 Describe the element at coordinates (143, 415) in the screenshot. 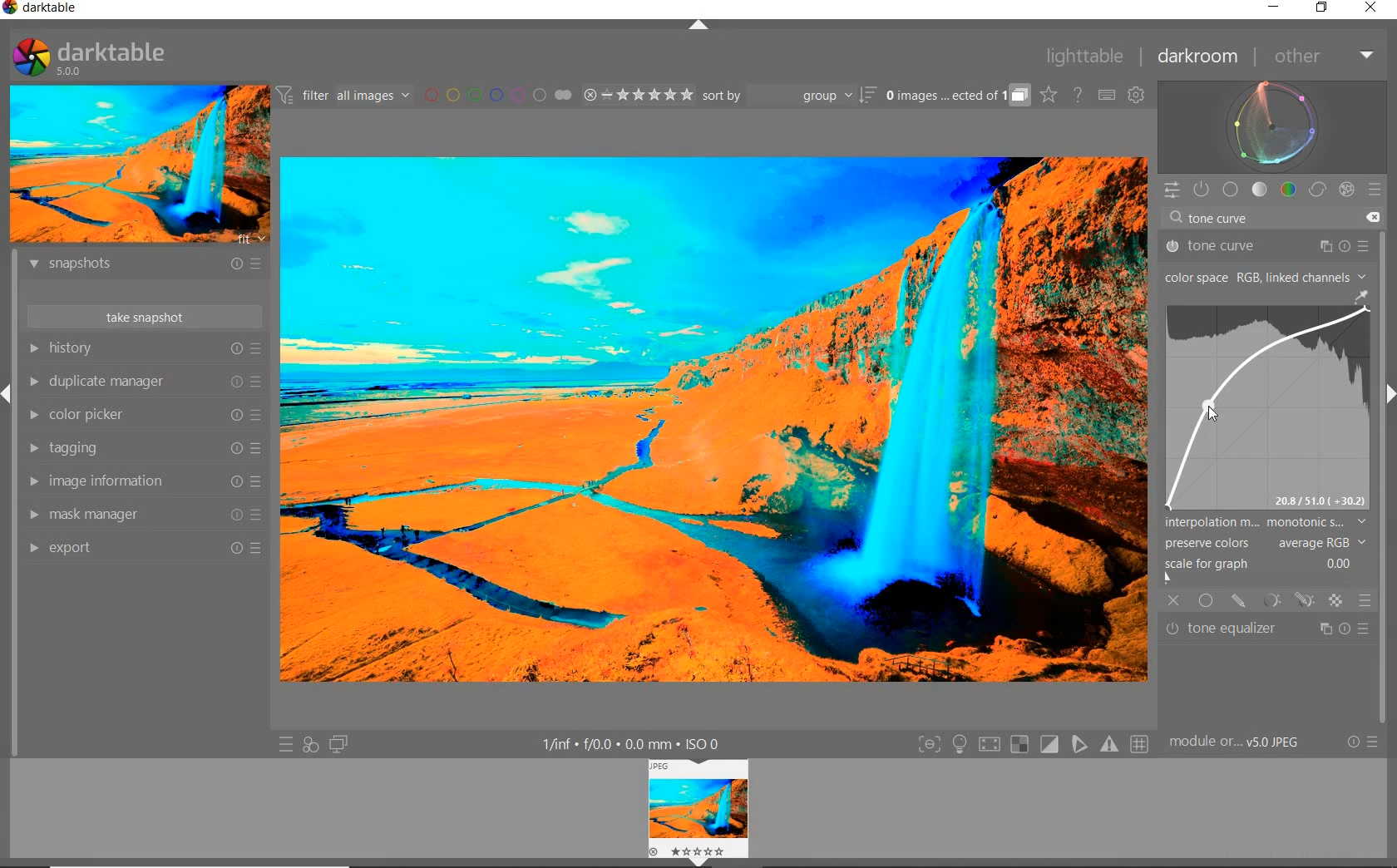

I see `color picker` at that location.